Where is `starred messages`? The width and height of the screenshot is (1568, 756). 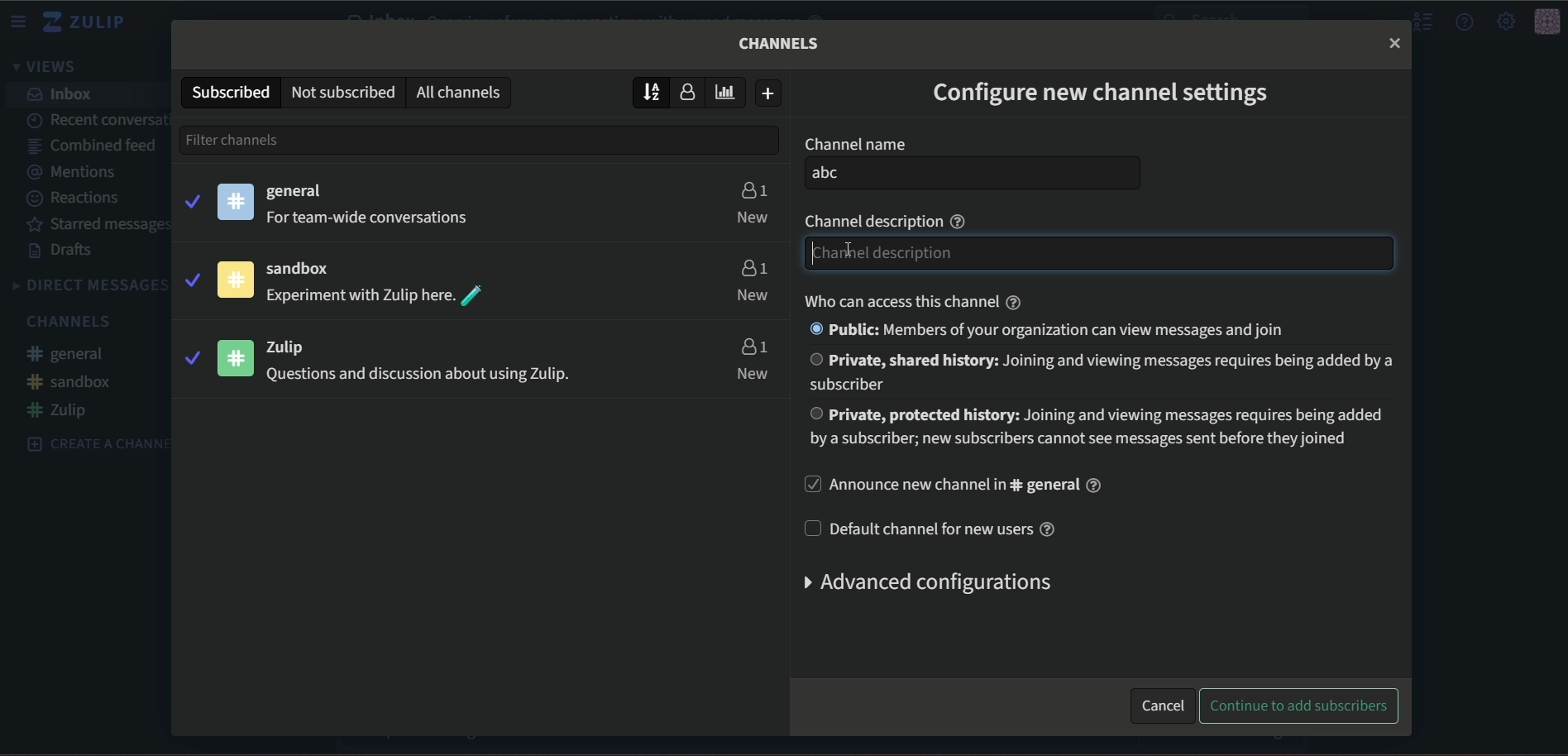
starred messages is located at coordinates (100, 225).